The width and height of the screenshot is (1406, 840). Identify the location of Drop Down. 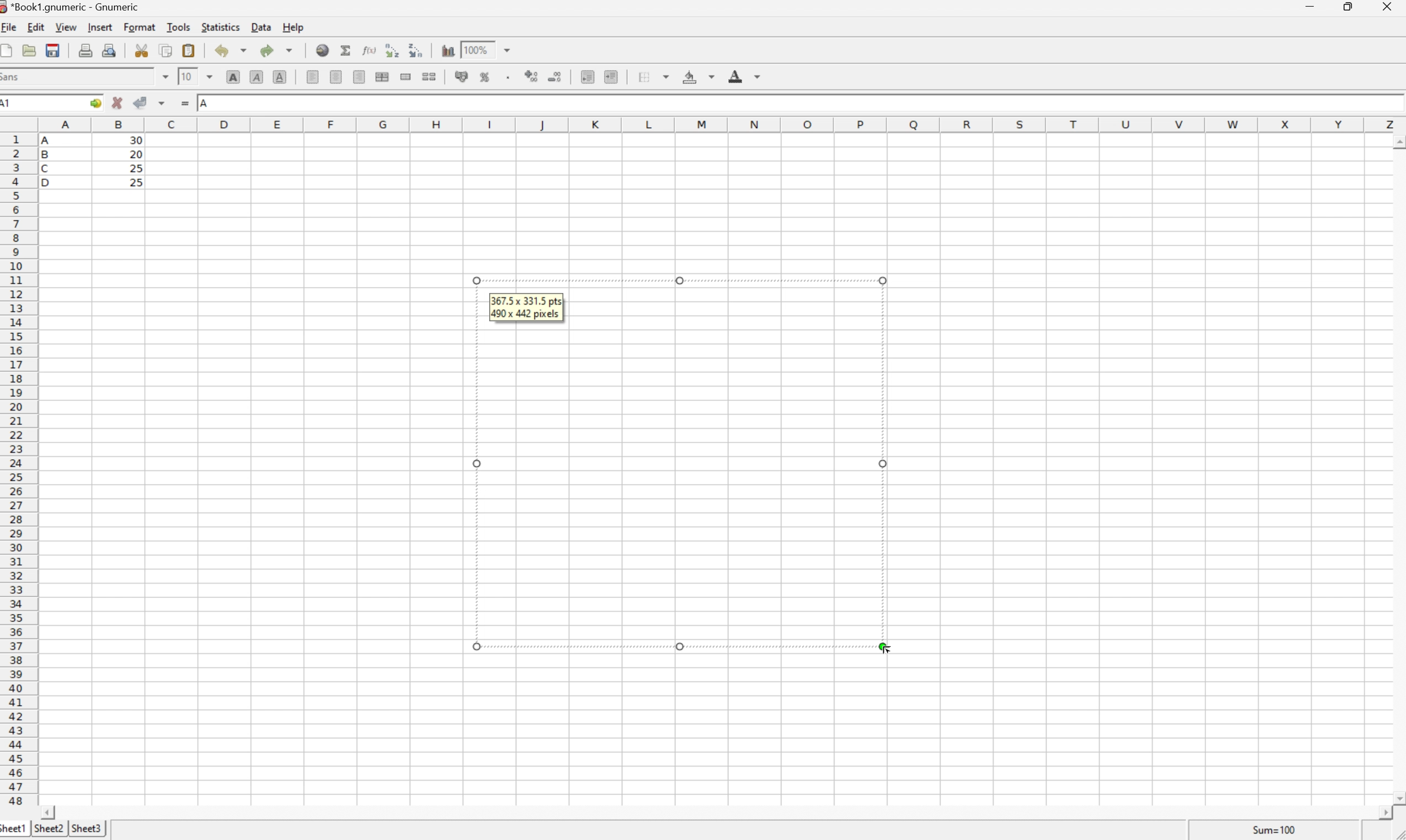
(210, 76).